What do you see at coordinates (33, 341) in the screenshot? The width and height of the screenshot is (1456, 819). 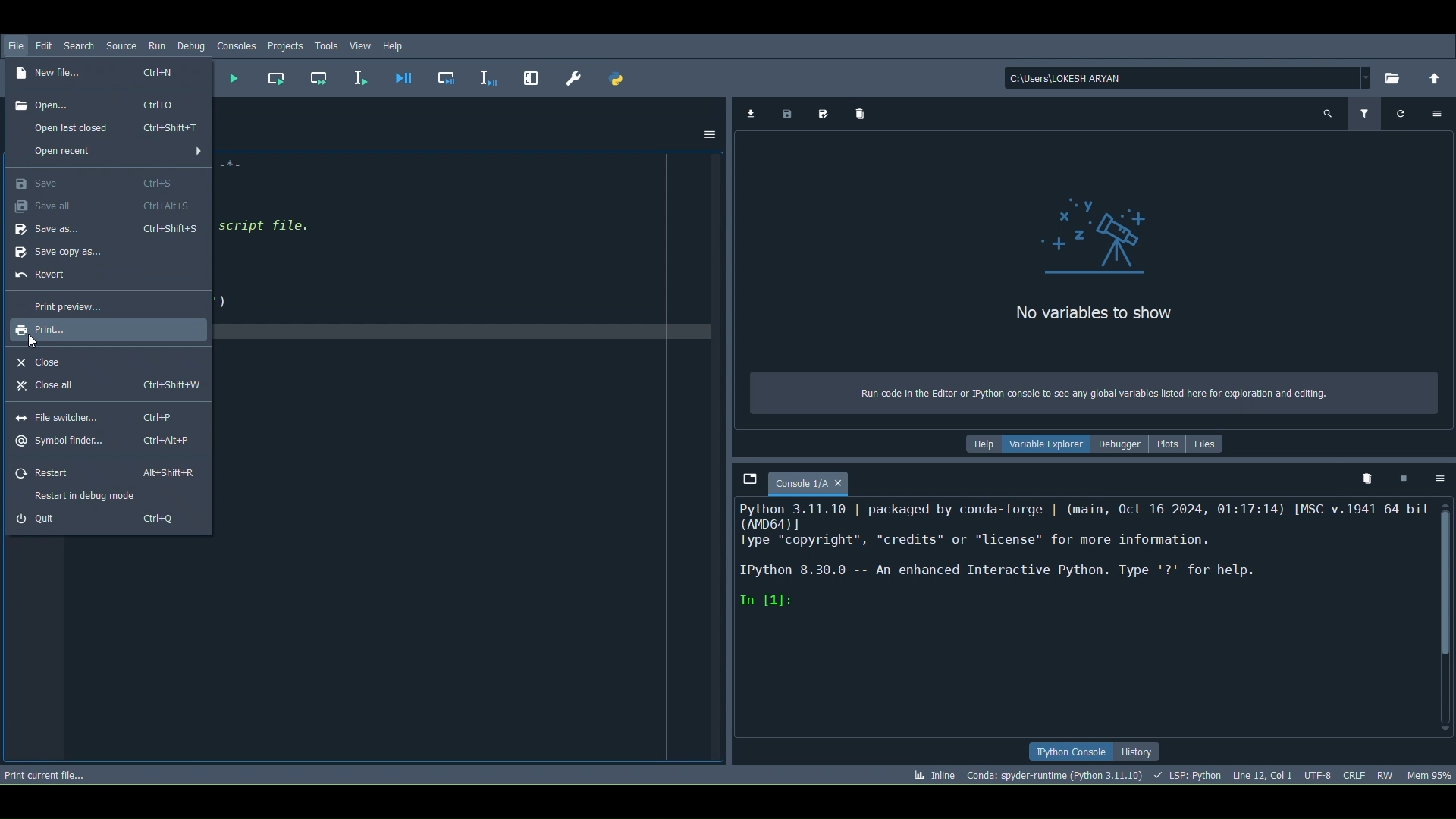 I see `Cursor` at bounding box center [33, 341].